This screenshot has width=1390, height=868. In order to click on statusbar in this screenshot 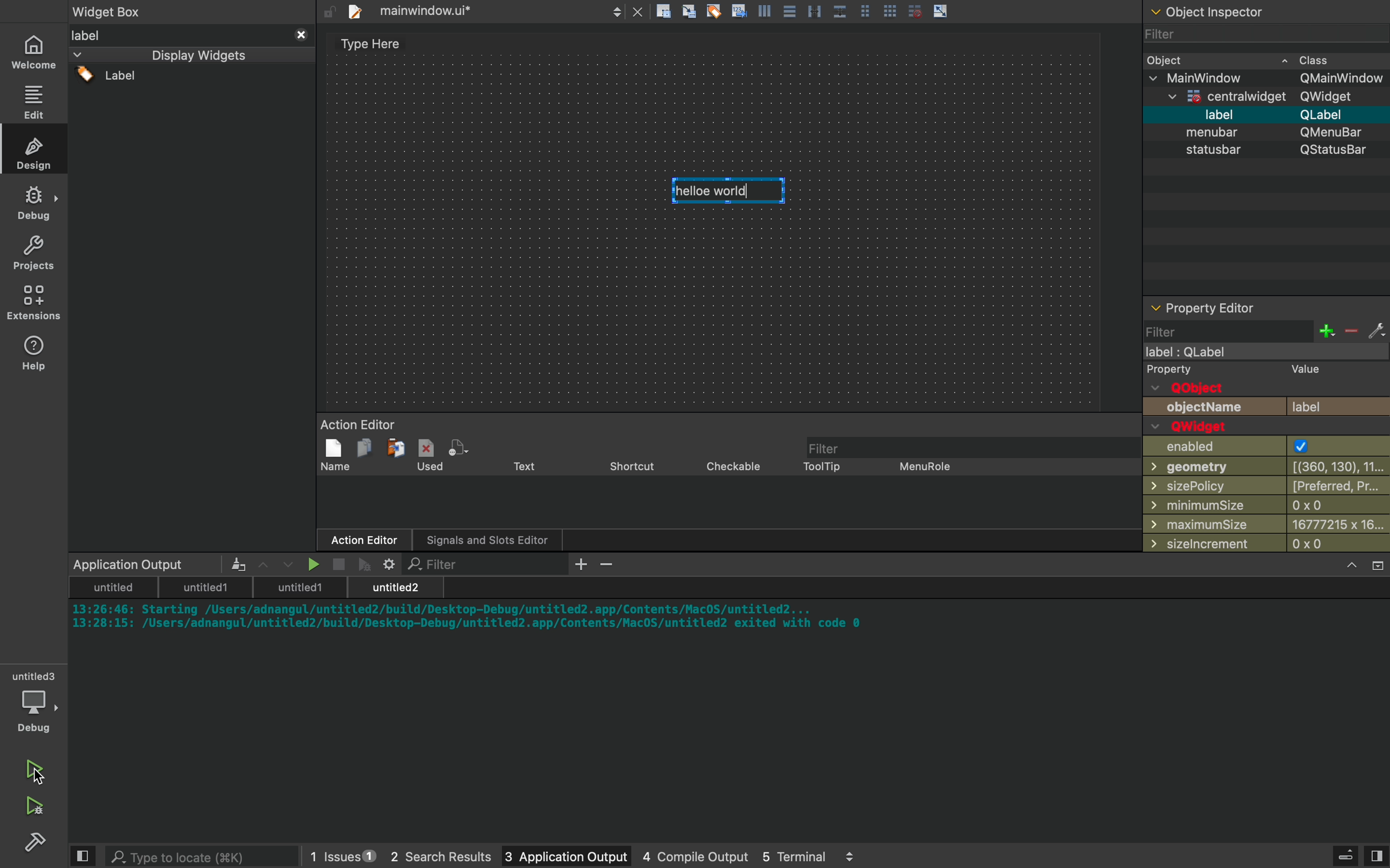, I will do `click(1264, 153)`.